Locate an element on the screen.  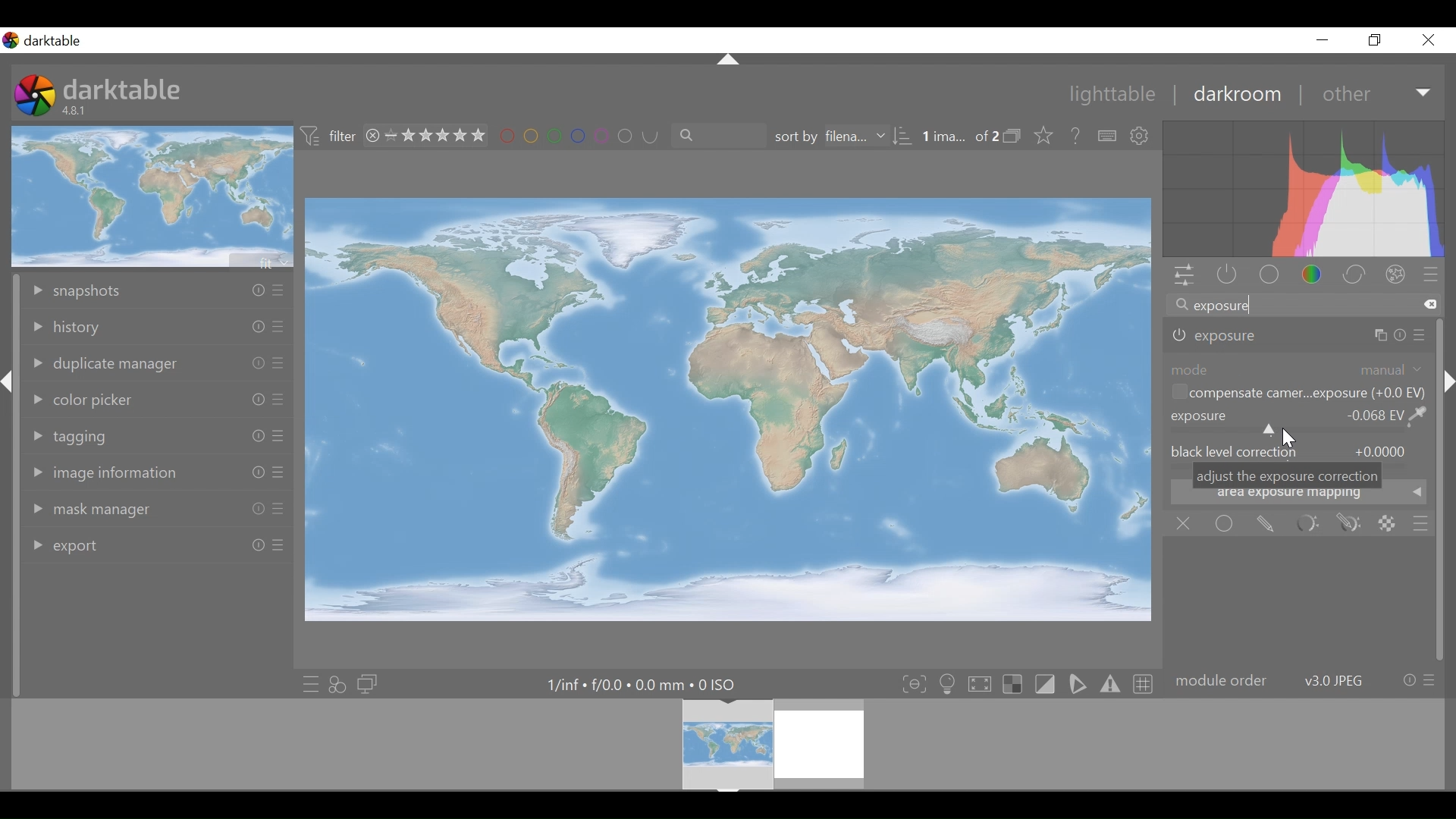
compensate camera exposure is located at coordinates (1298, 392).